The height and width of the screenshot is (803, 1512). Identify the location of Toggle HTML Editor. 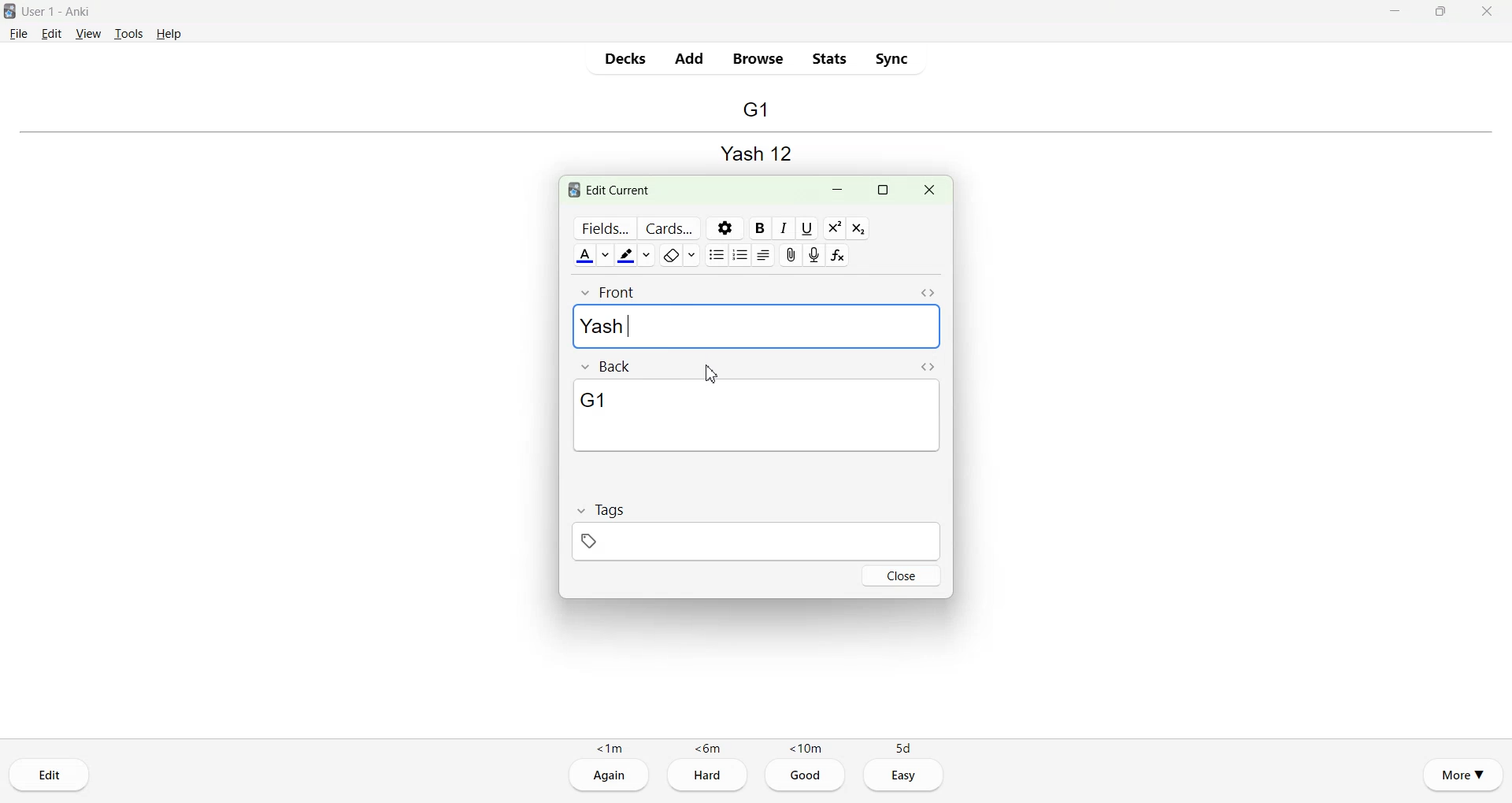
(928, 294).